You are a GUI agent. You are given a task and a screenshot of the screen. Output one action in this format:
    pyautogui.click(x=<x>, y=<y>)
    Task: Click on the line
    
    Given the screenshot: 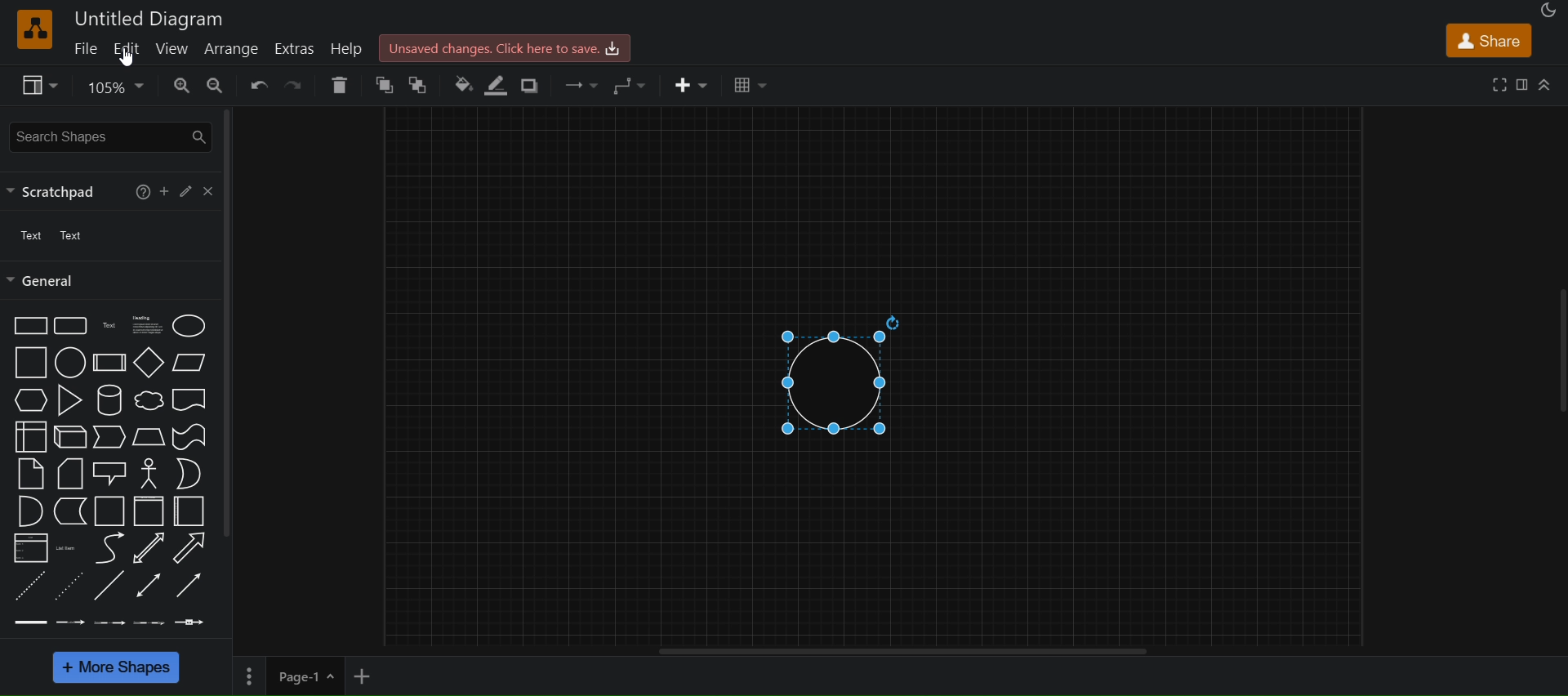 What is the action you would take?
    pyautogui.click(x=111, y=587)
    